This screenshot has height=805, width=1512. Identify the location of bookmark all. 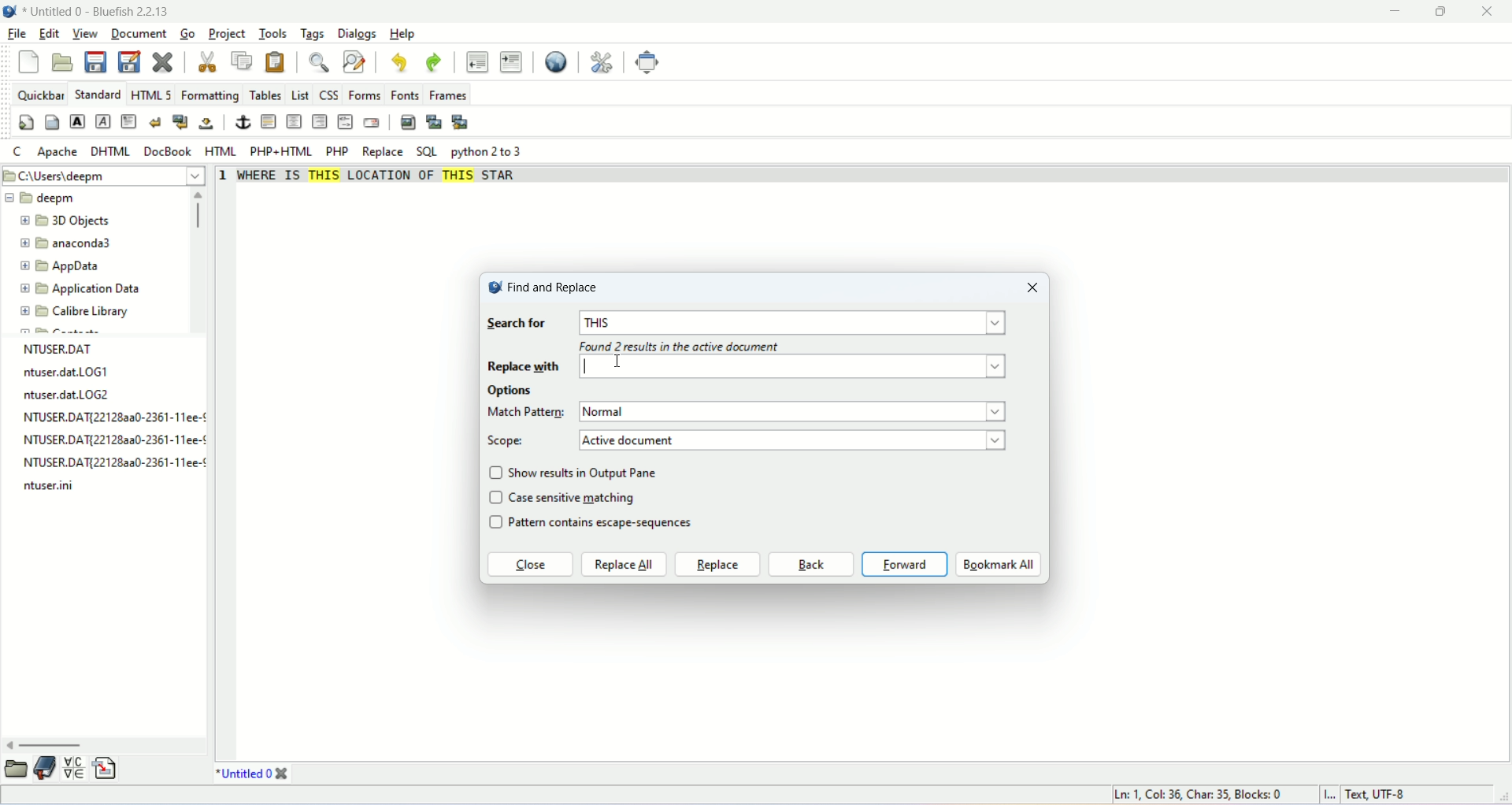
(999, 565).